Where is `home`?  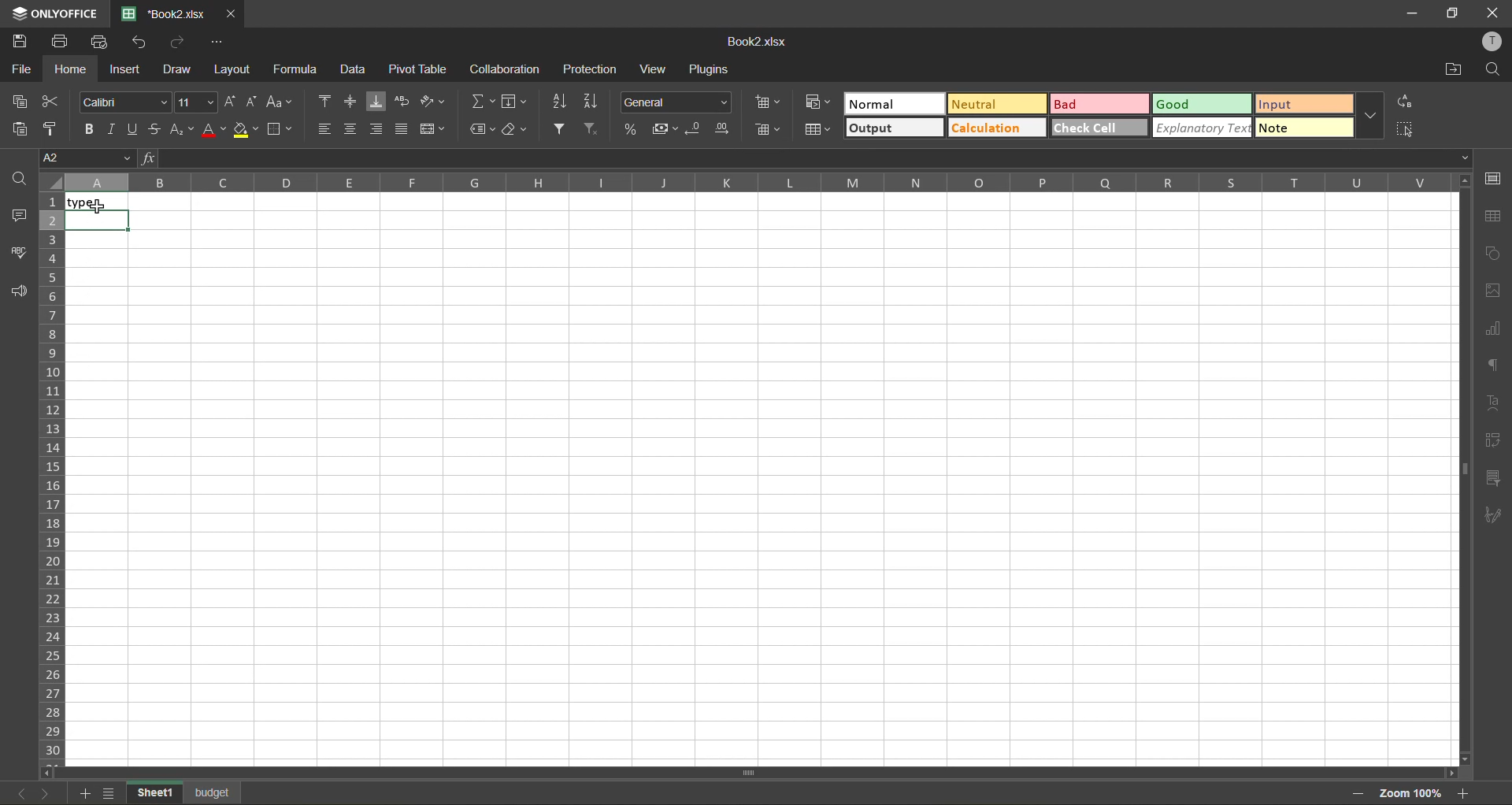 home is located at coordinates (66, 70).